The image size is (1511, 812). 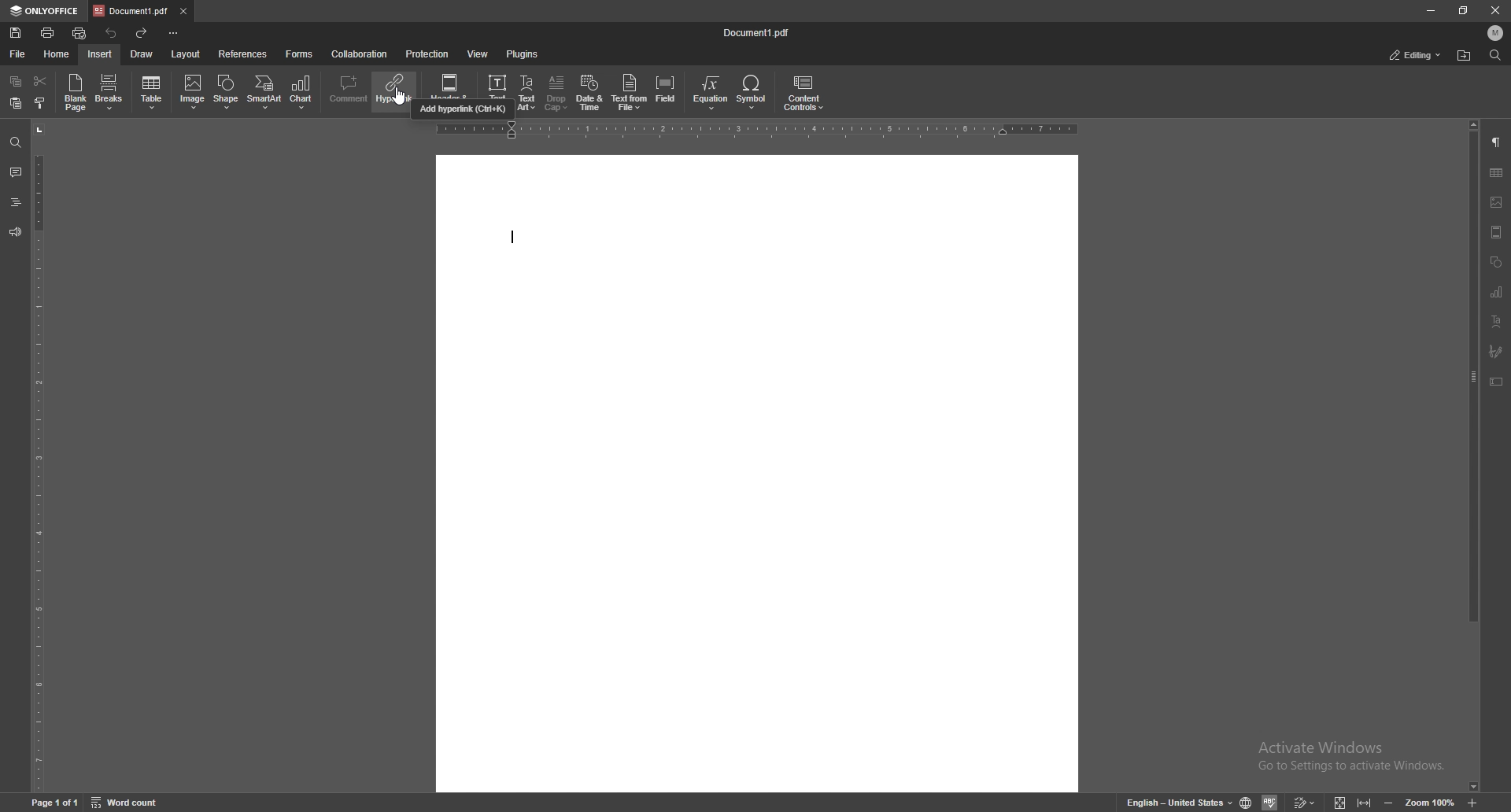 I want to click on paste, so click(x=17, y=102).